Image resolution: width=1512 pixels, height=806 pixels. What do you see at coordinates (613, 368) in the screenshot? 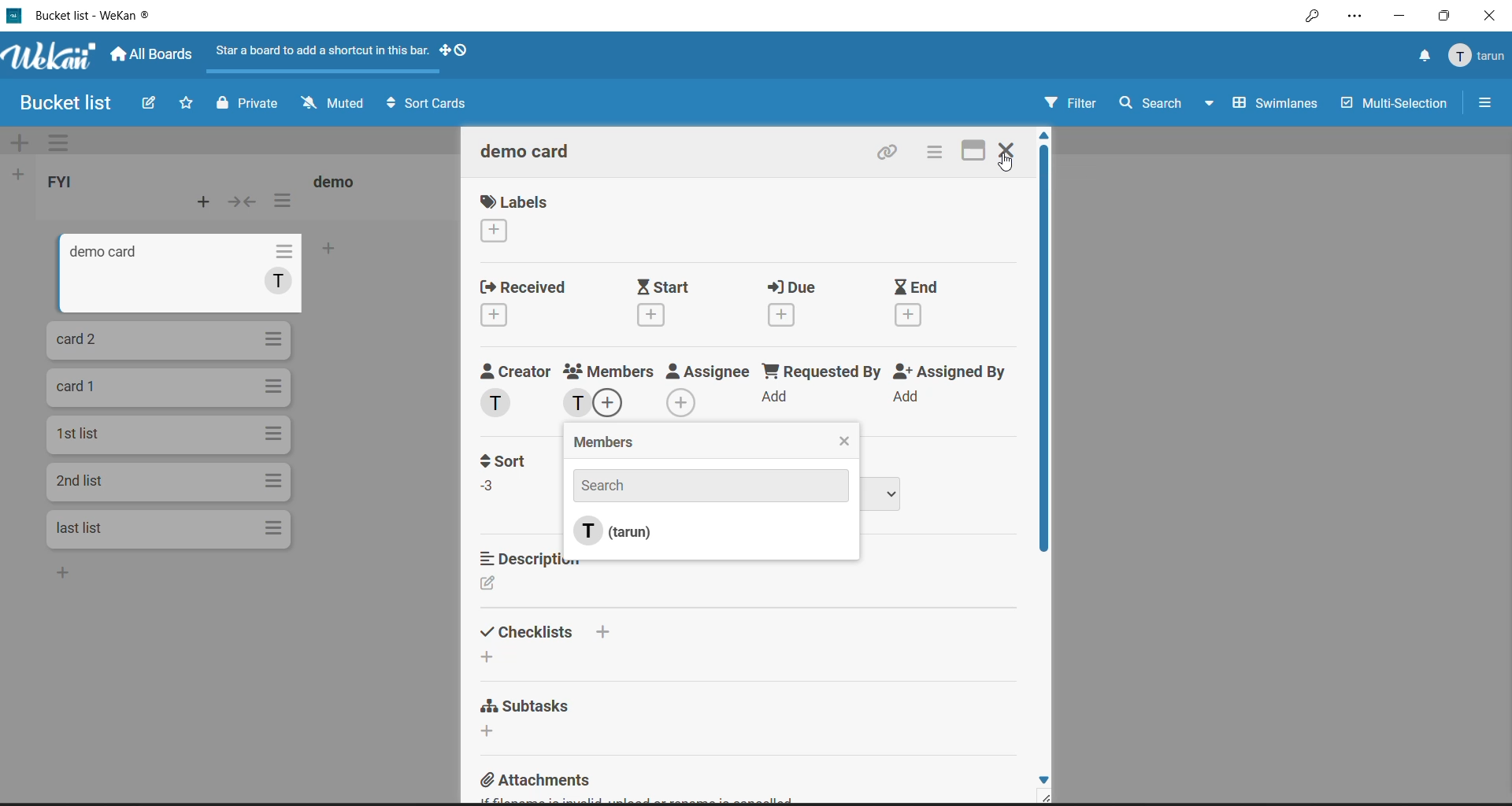
I see `members` at bounding box center [613, 368].